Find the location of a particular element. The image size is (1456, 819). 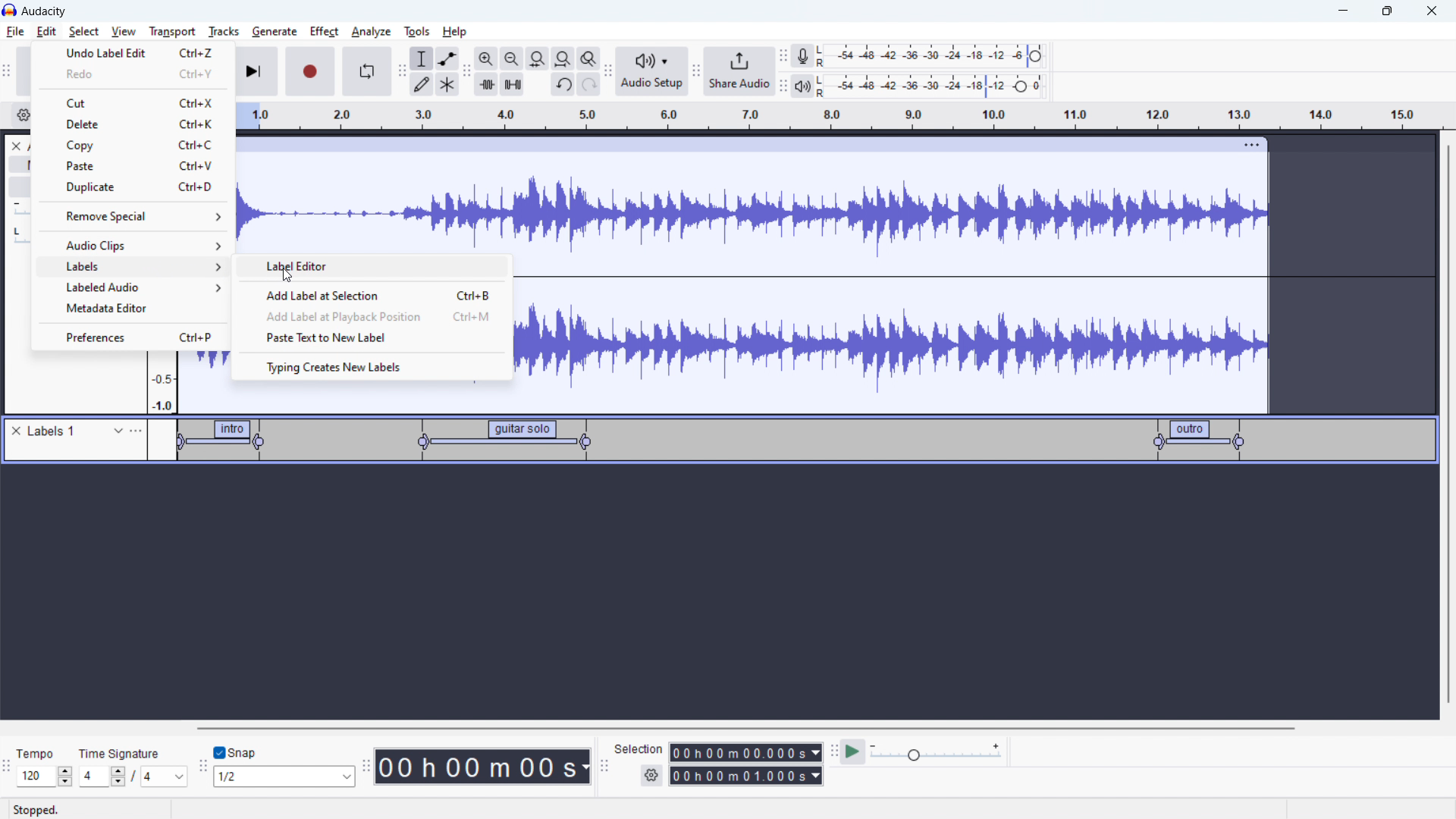

time signature toolbar is located at coordinates (9, 770).